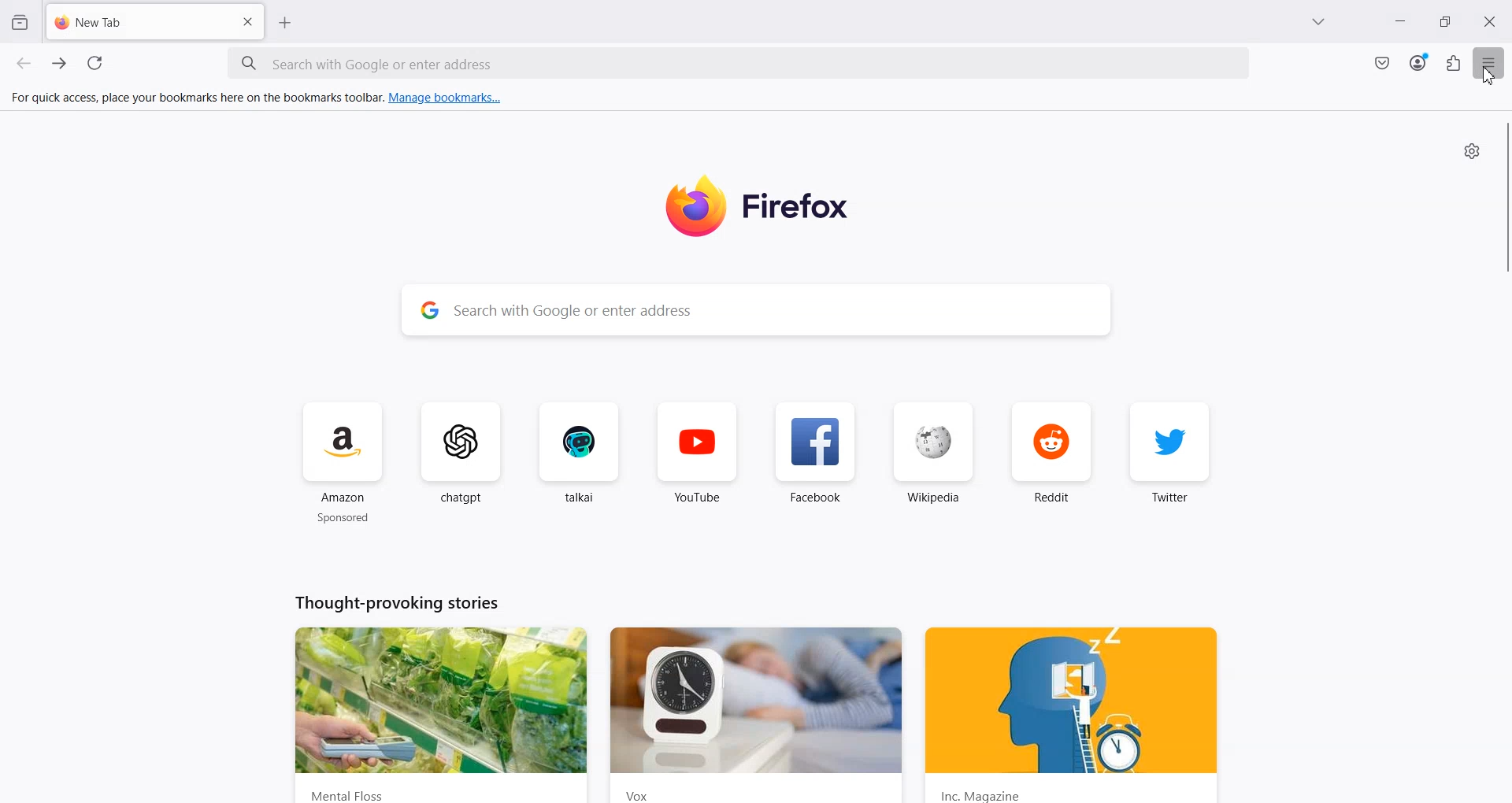 The width and height of the screenshot is (1512, 803). I want to click on Search bar, so click(755, 307).